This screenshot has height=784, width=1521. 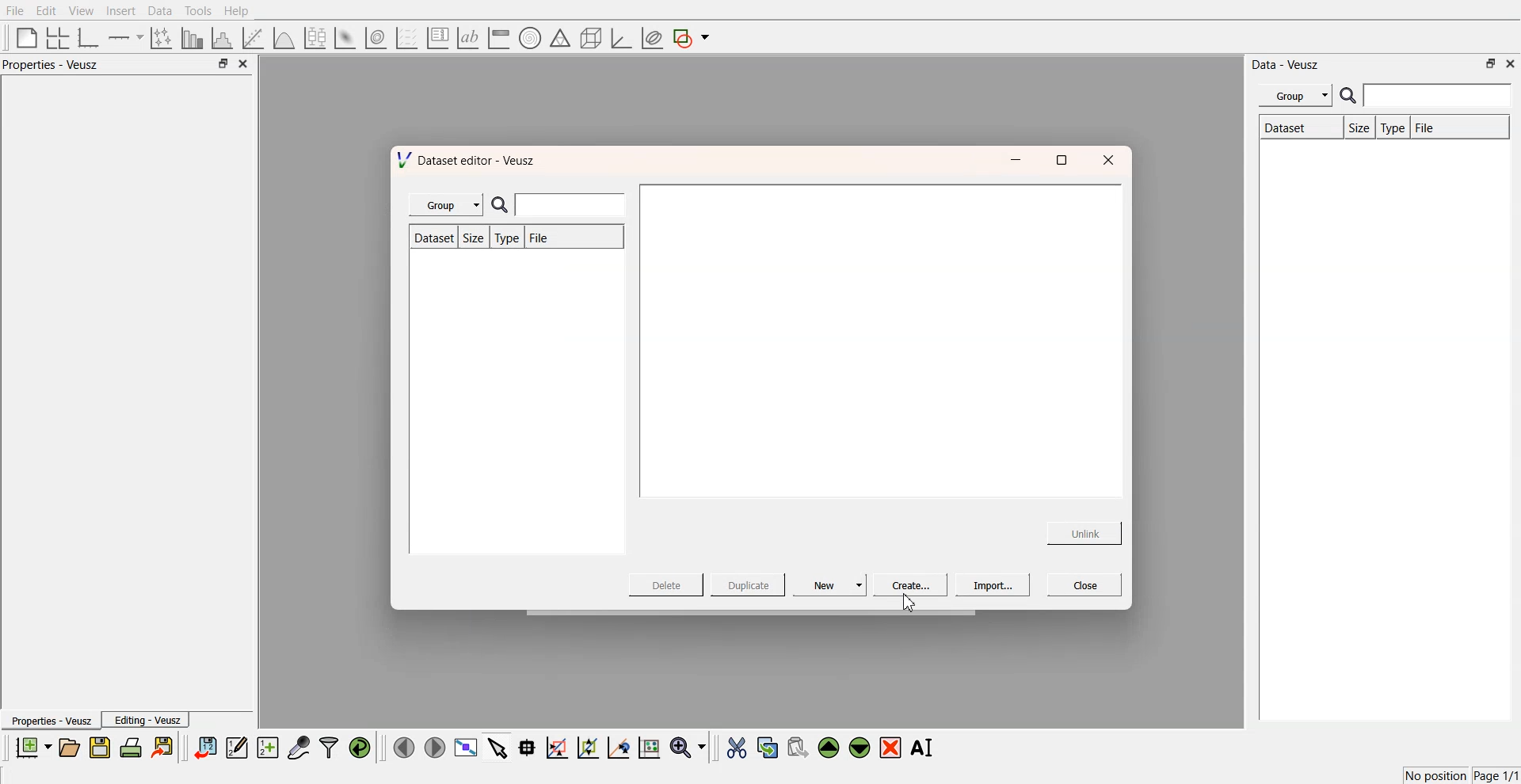 I want to click on cut the selected widgets, so click(x=735, y=748).